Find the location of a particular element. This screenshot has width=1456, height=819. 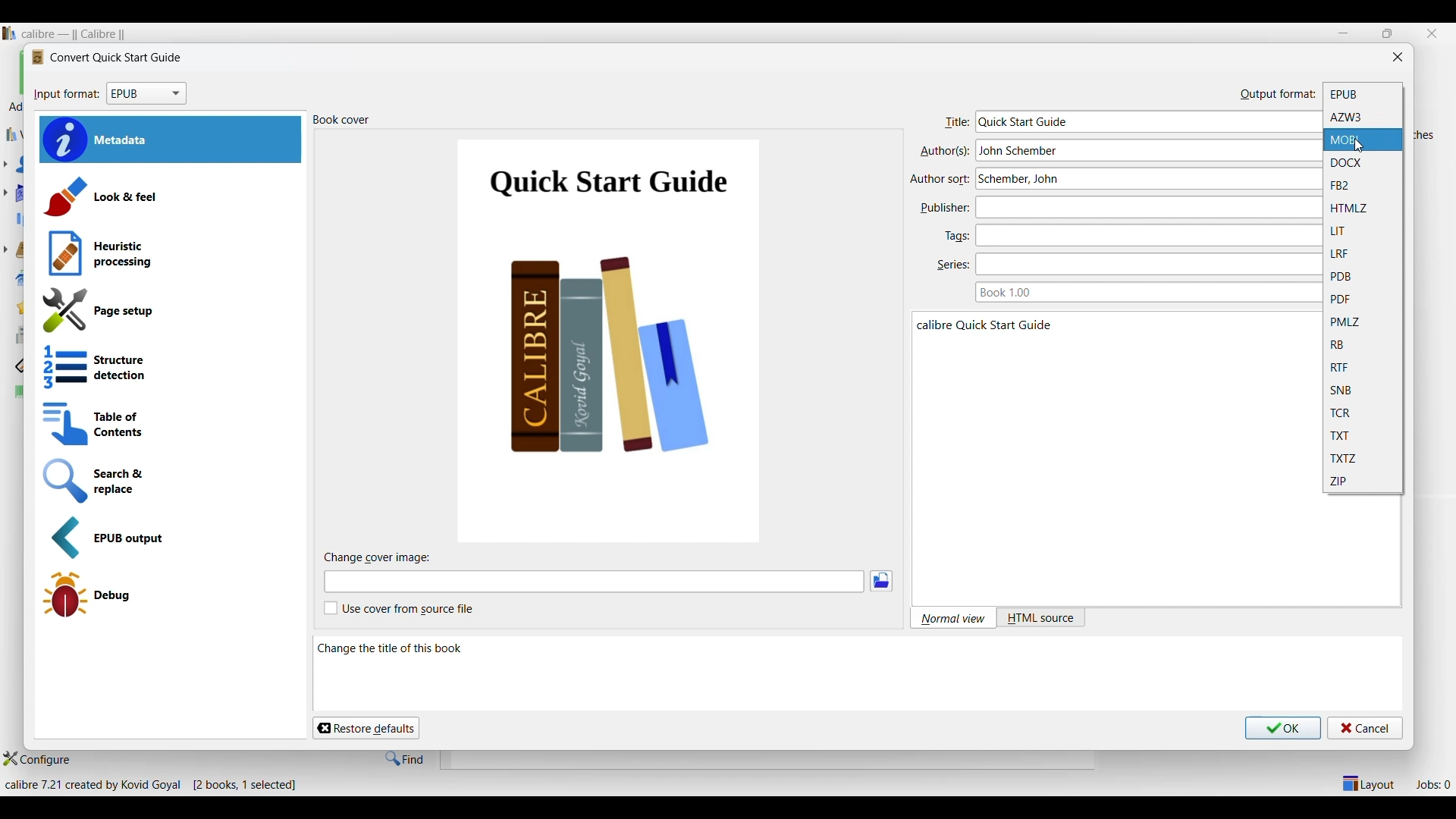

FB2 is located at coordinates (1362, 185).